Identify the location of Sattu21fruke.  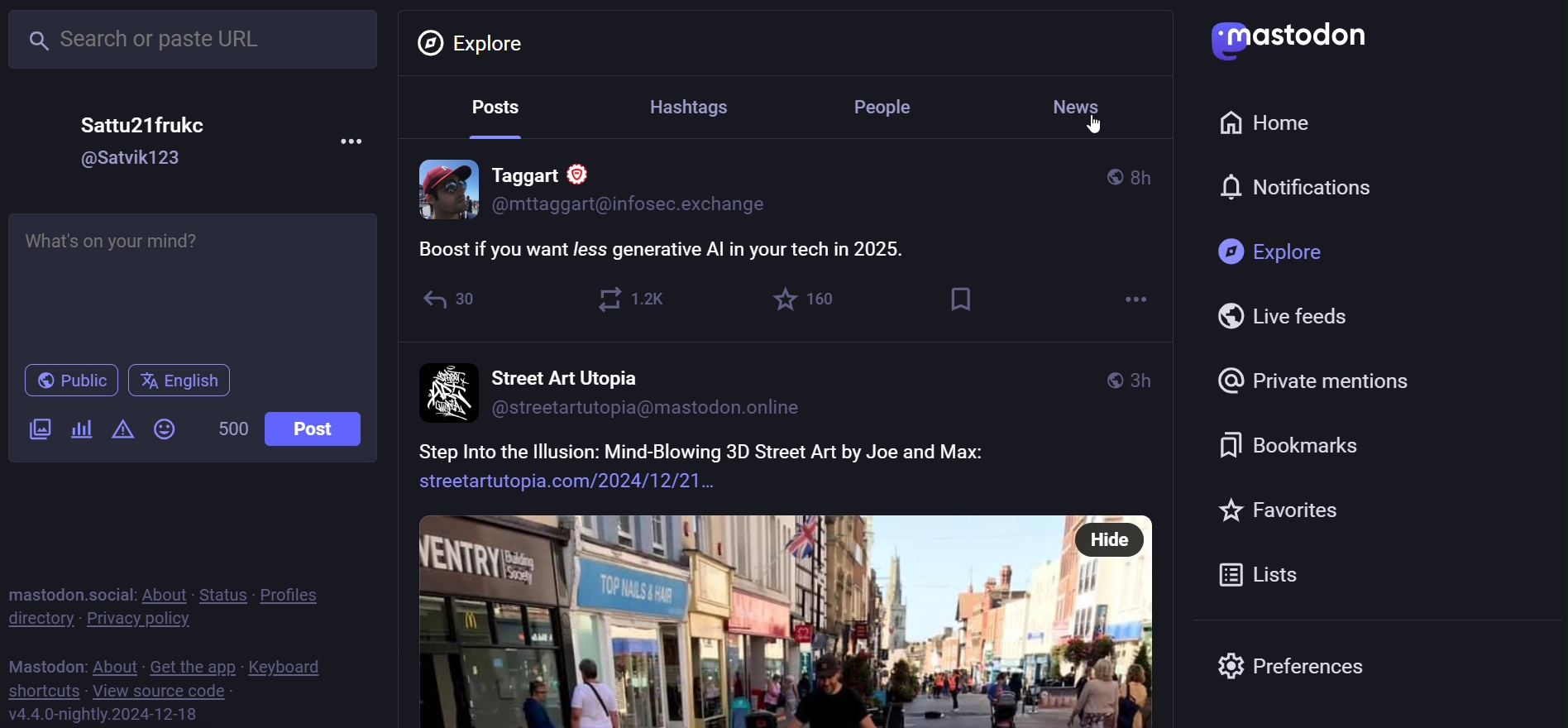
(153, 117).